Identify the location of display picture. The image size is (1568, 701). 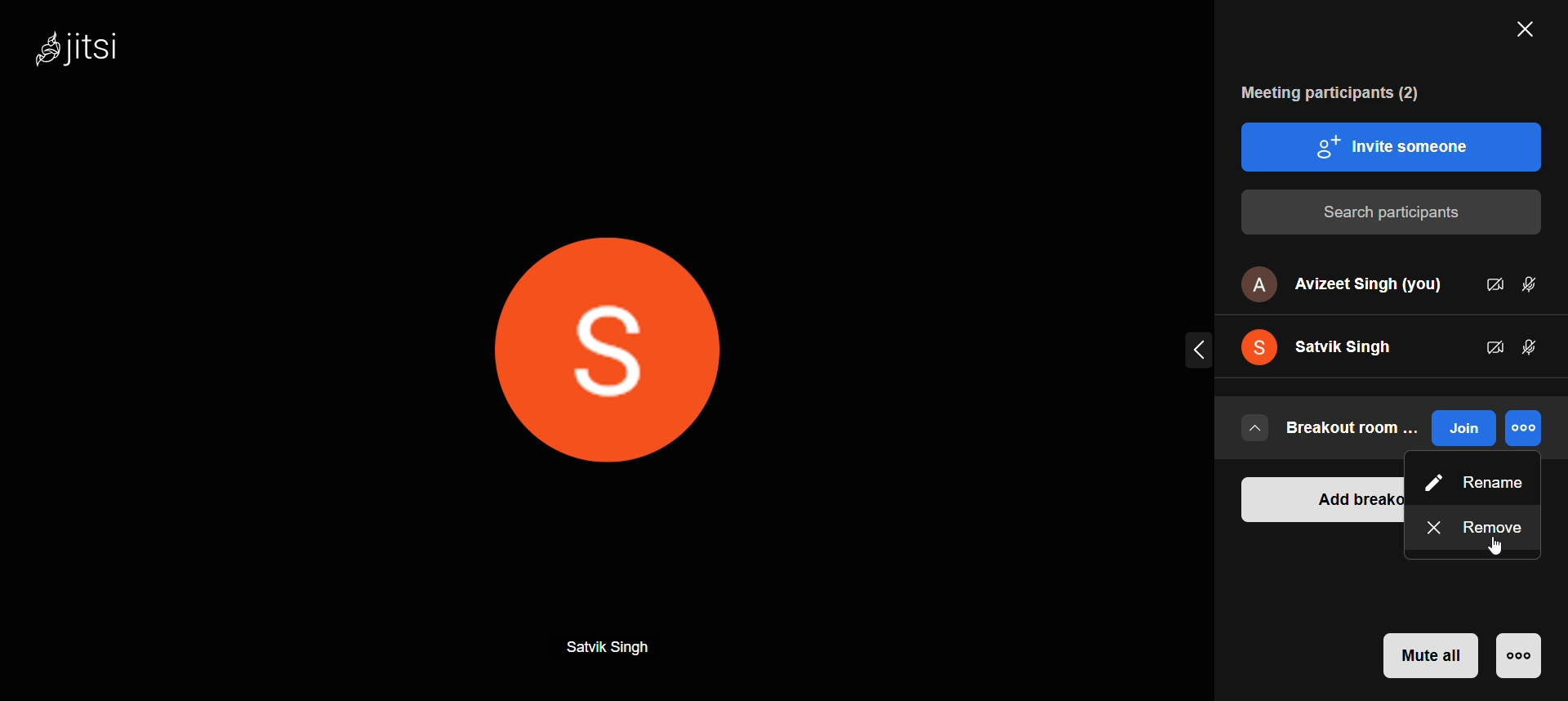
(626, 351).